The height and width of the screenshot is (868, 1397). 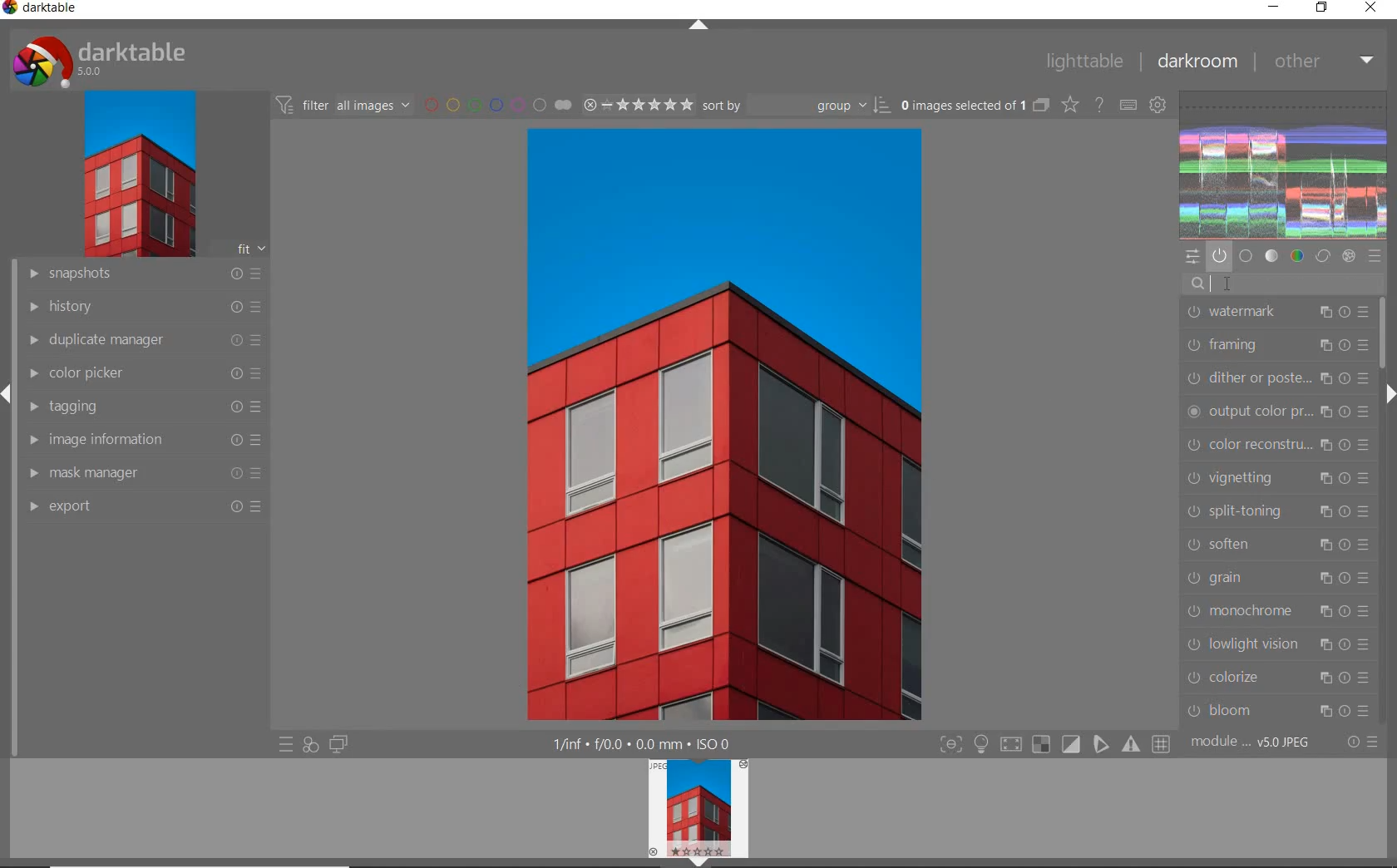 I want to click on toggle modes, so click(x=1056, y=744).